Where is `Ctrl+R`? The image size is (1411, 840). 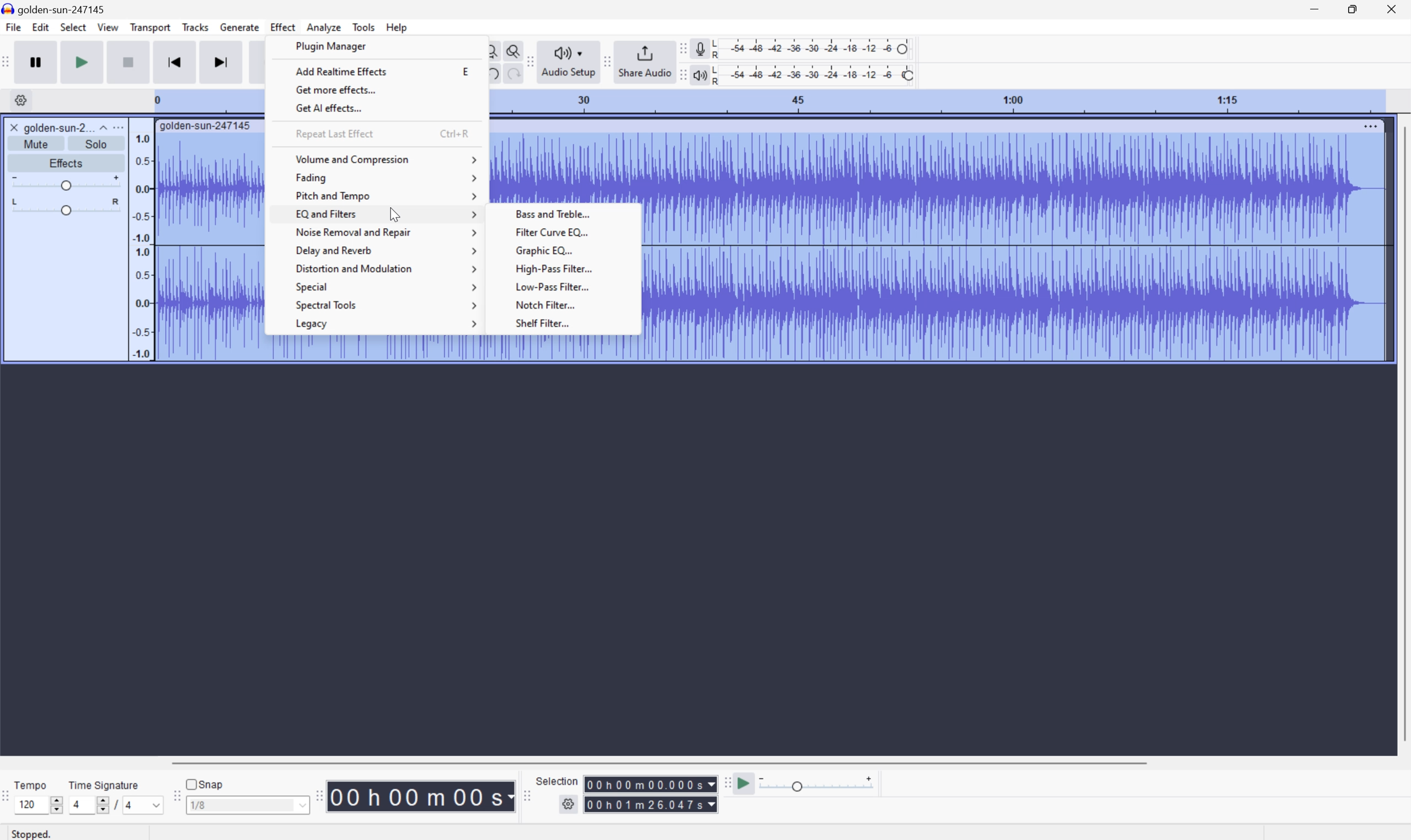
Ctrl+R is located at coordinates (455, 132).